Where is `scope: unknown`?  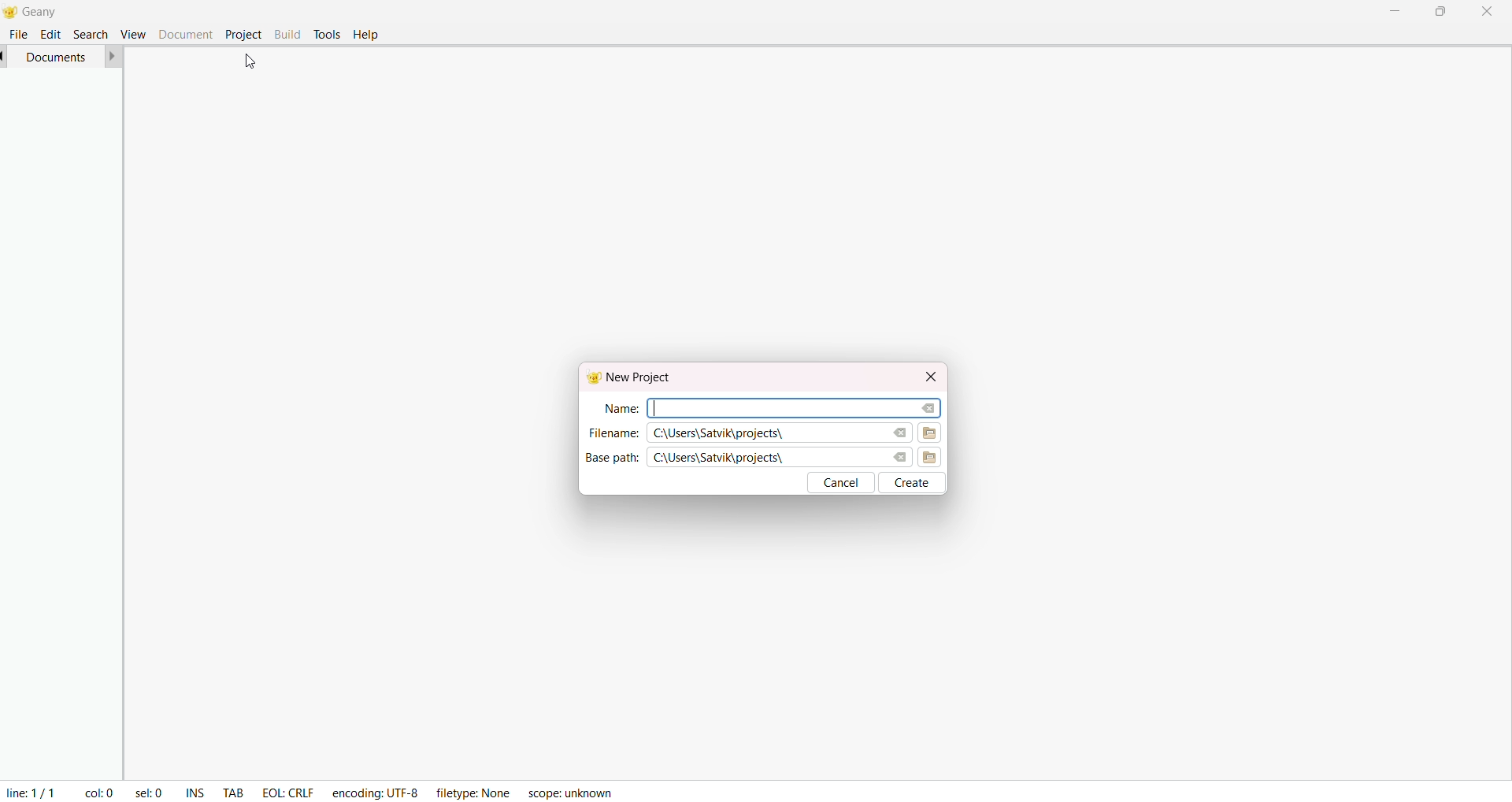
scope: unknown is located at coordinates (569, 792).